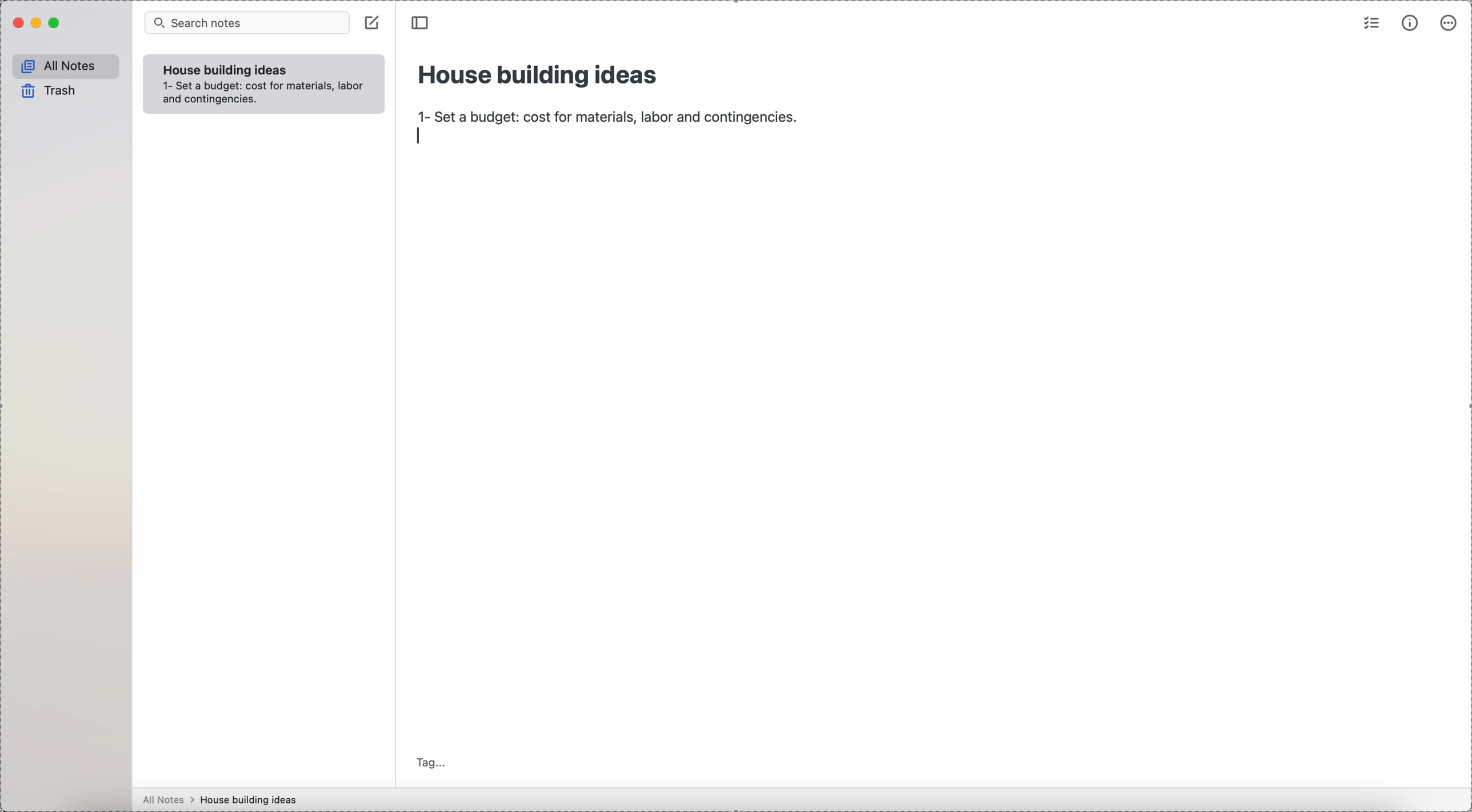  What do you see at coordinates (421, 138) in the screenshot?
I see `enter` at bounding box center [421, 138].